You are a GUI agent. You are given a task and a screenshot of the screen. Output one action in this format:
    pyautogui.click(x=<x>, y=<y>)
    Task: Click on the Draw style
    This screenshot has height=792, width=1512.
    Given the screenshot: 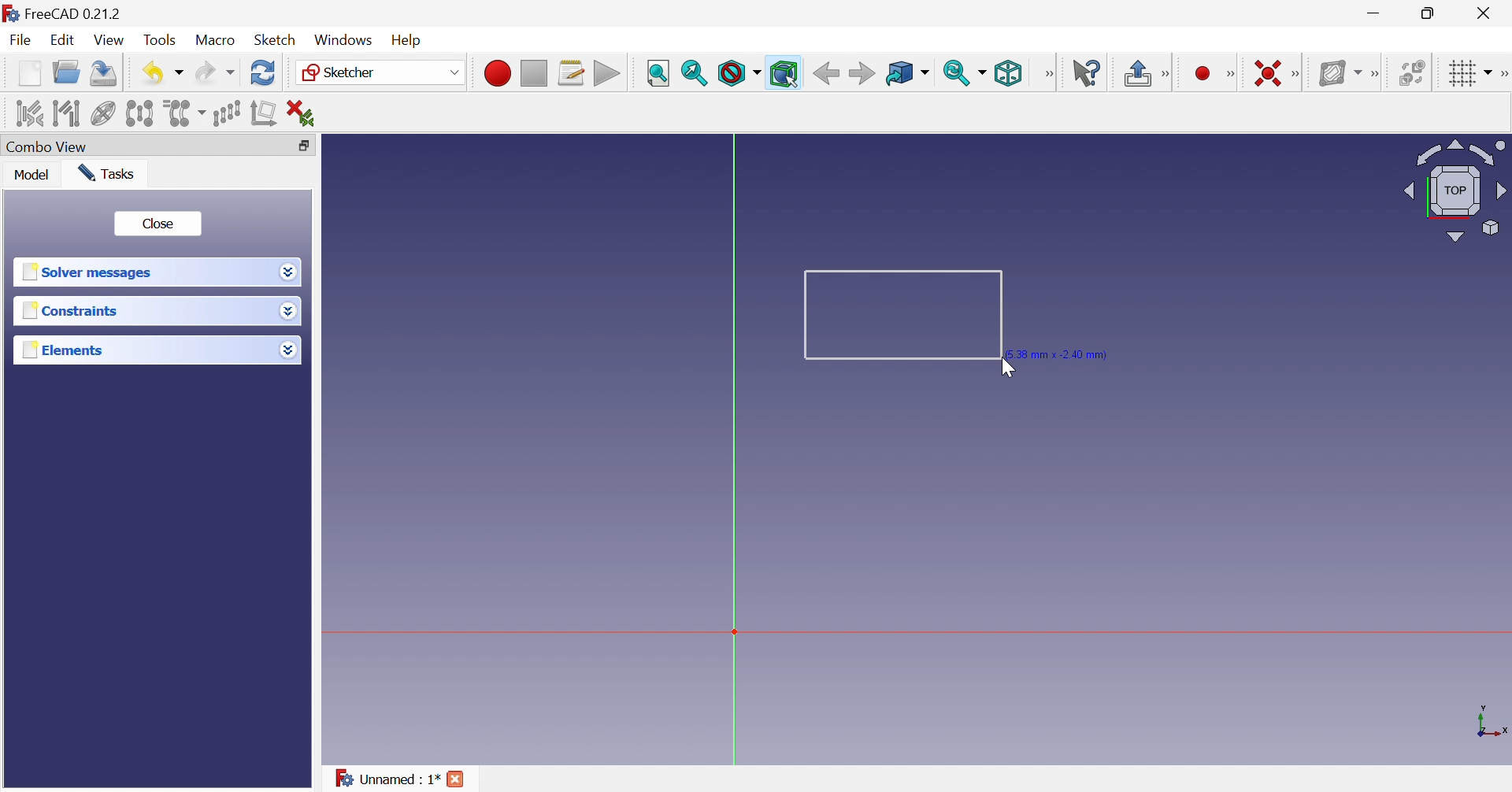 What is the action you would take?
    pyautogui.click(x=739, y=72)
    